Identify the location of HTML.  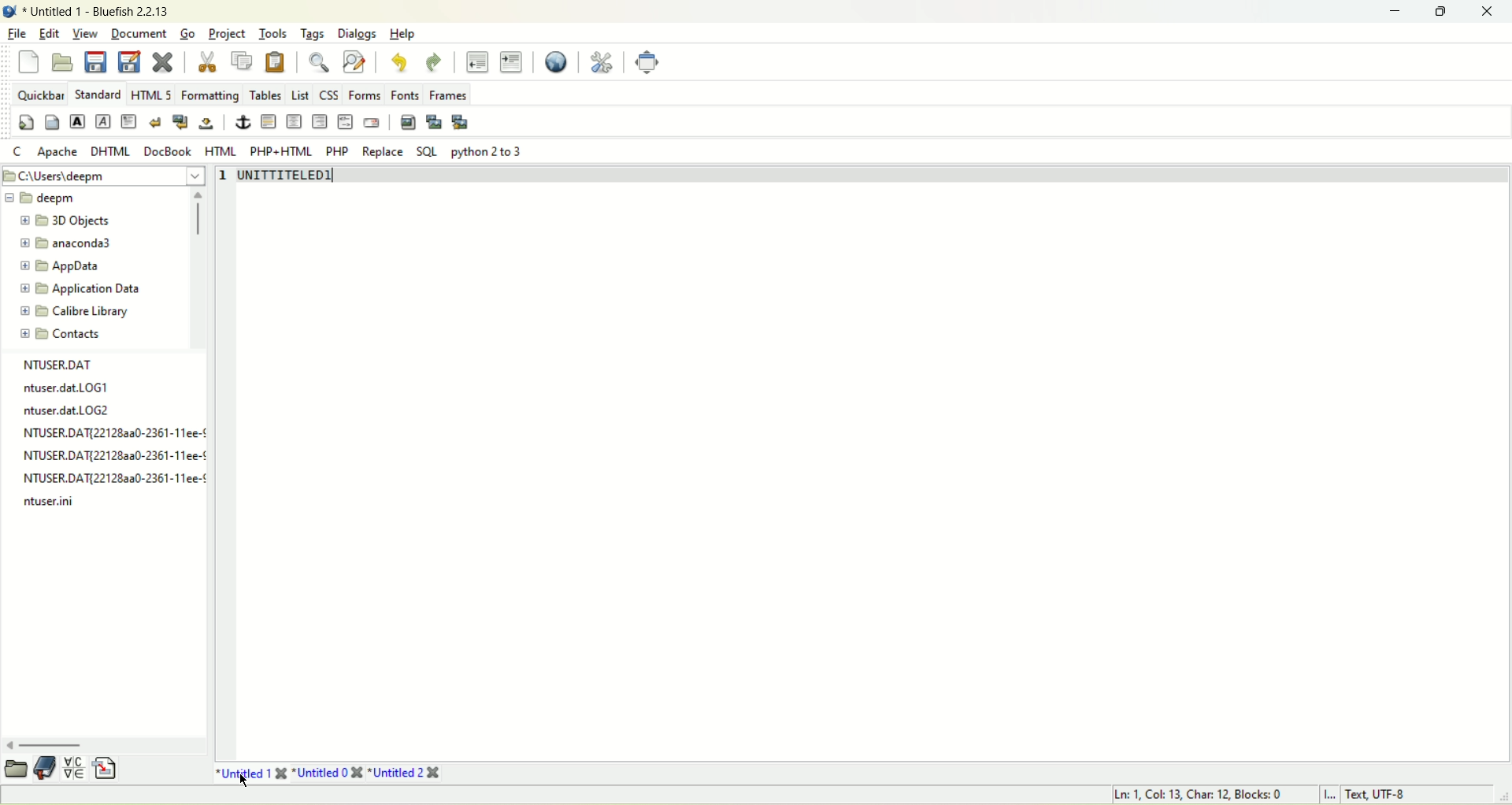
(219, 150).